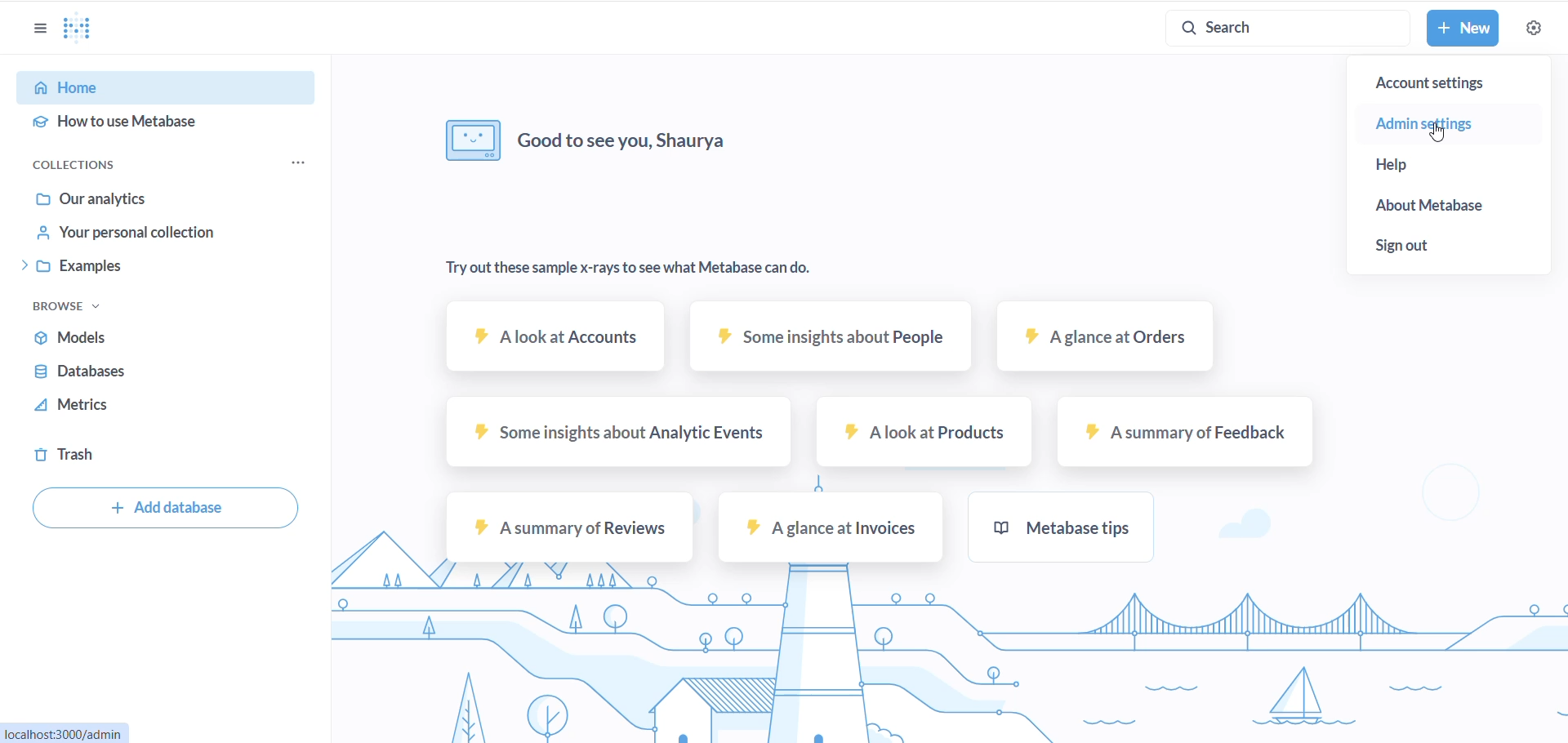  I want to click on help, so click(1427, 166).